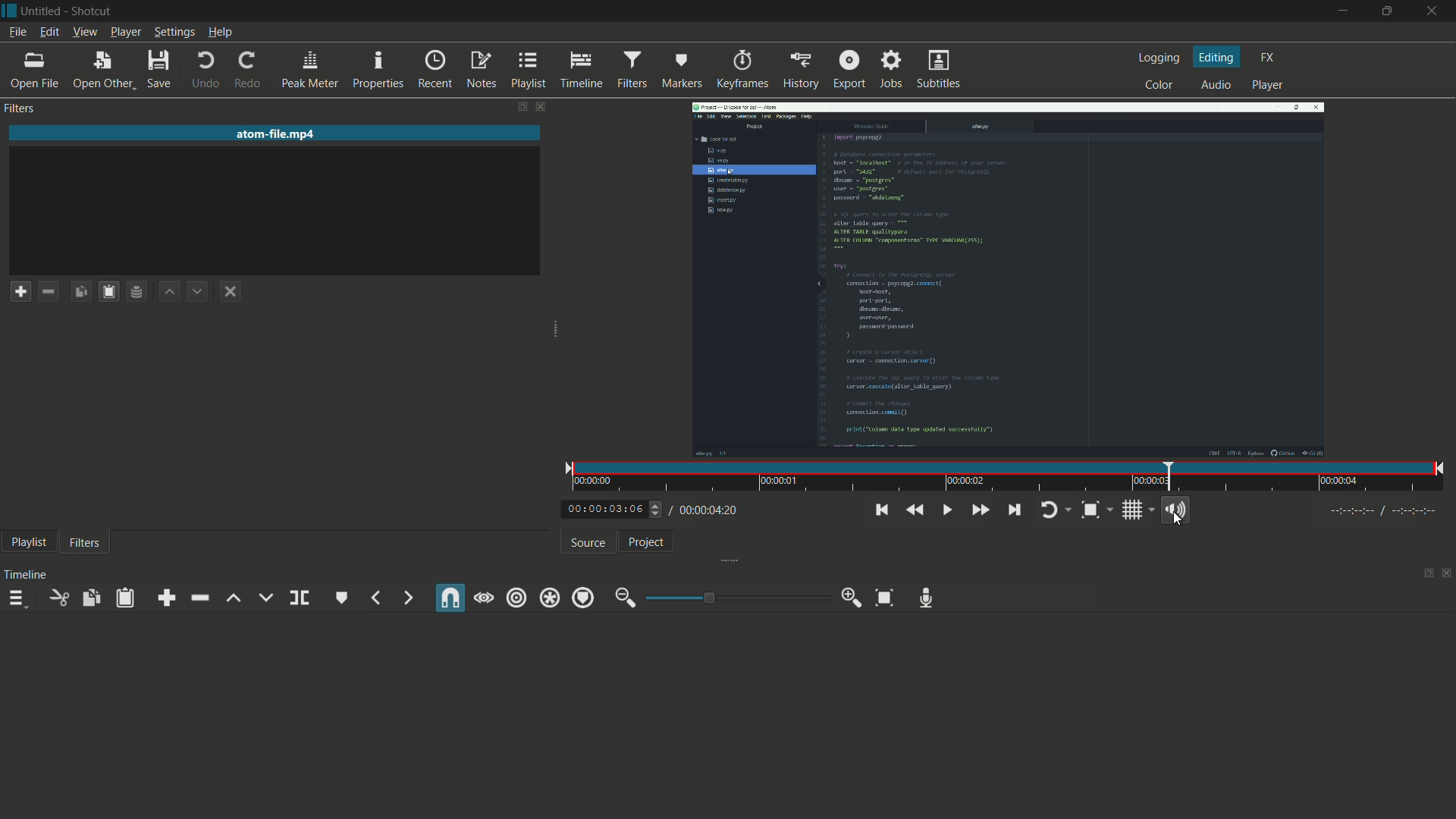 The width and height of the screenshot is (1456, 819). I want to click on timeline, so click(24, 576).